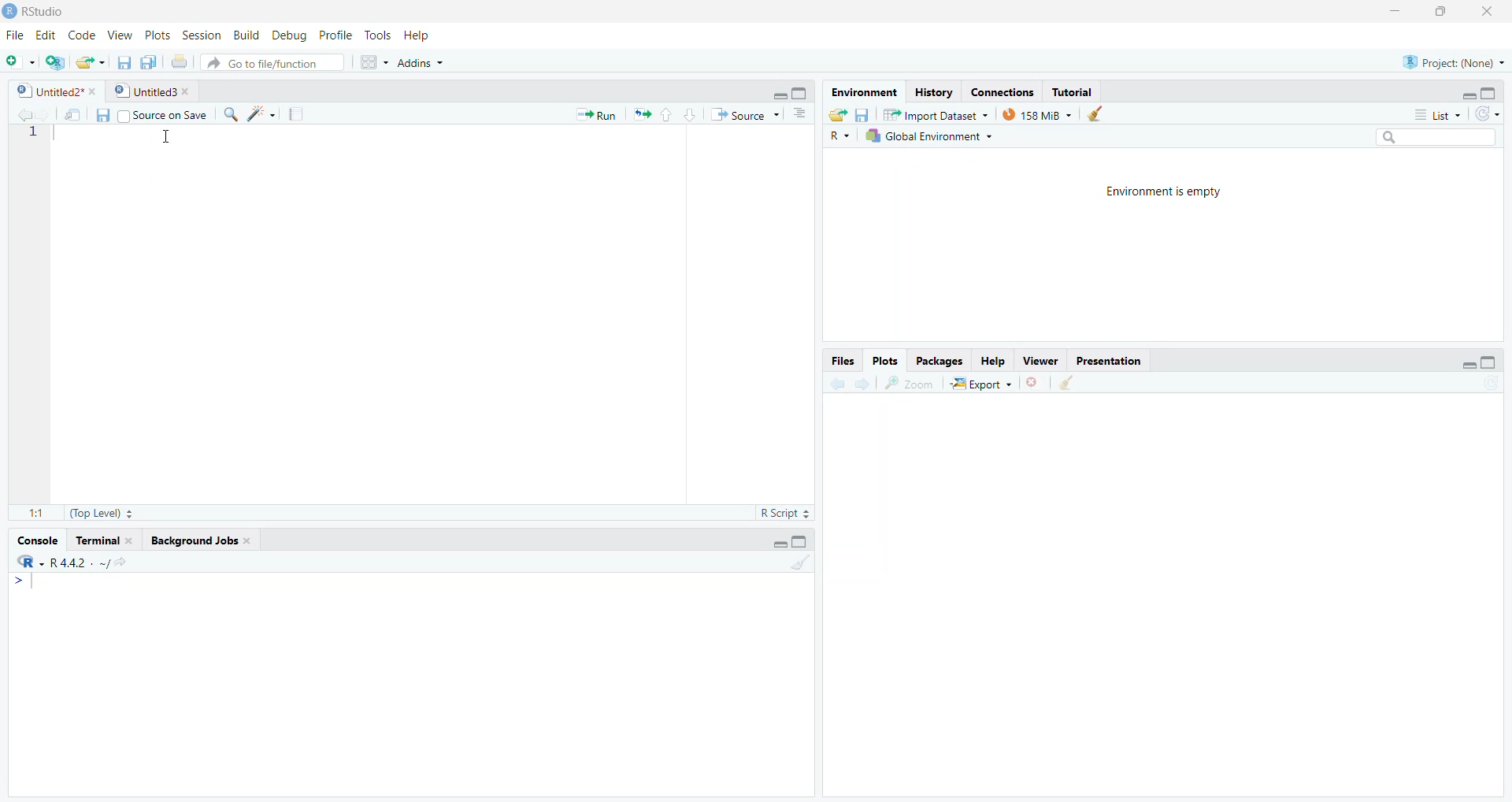  Describe the element at coordinates (837, 113) in the screenshot. I see `Load workspace` at that location.